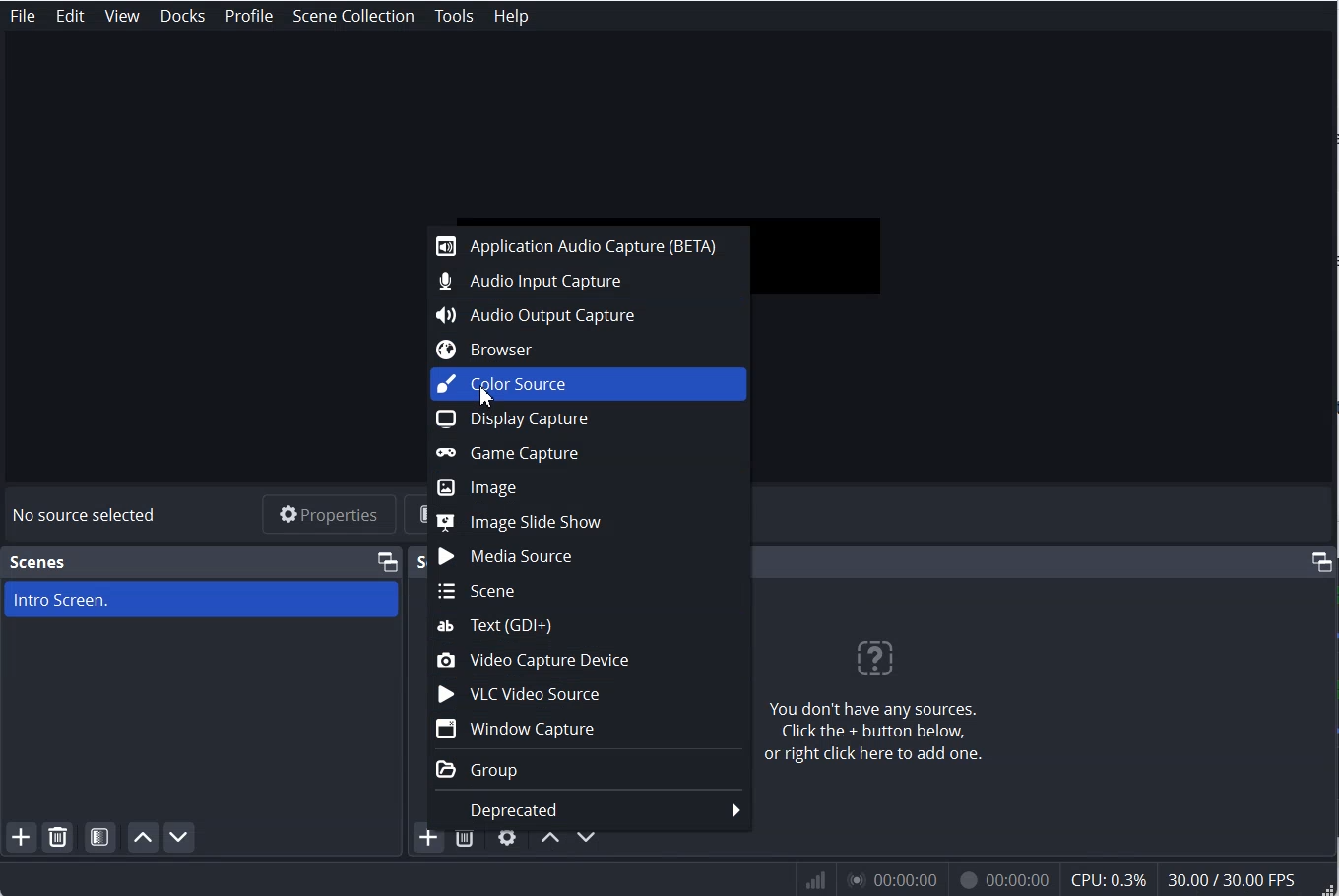 Image resolution: width=1339 pixels, height=896 pixels. Describe the element at coordinates (454, 16) in the screenshot. I see `Tools` at that location.